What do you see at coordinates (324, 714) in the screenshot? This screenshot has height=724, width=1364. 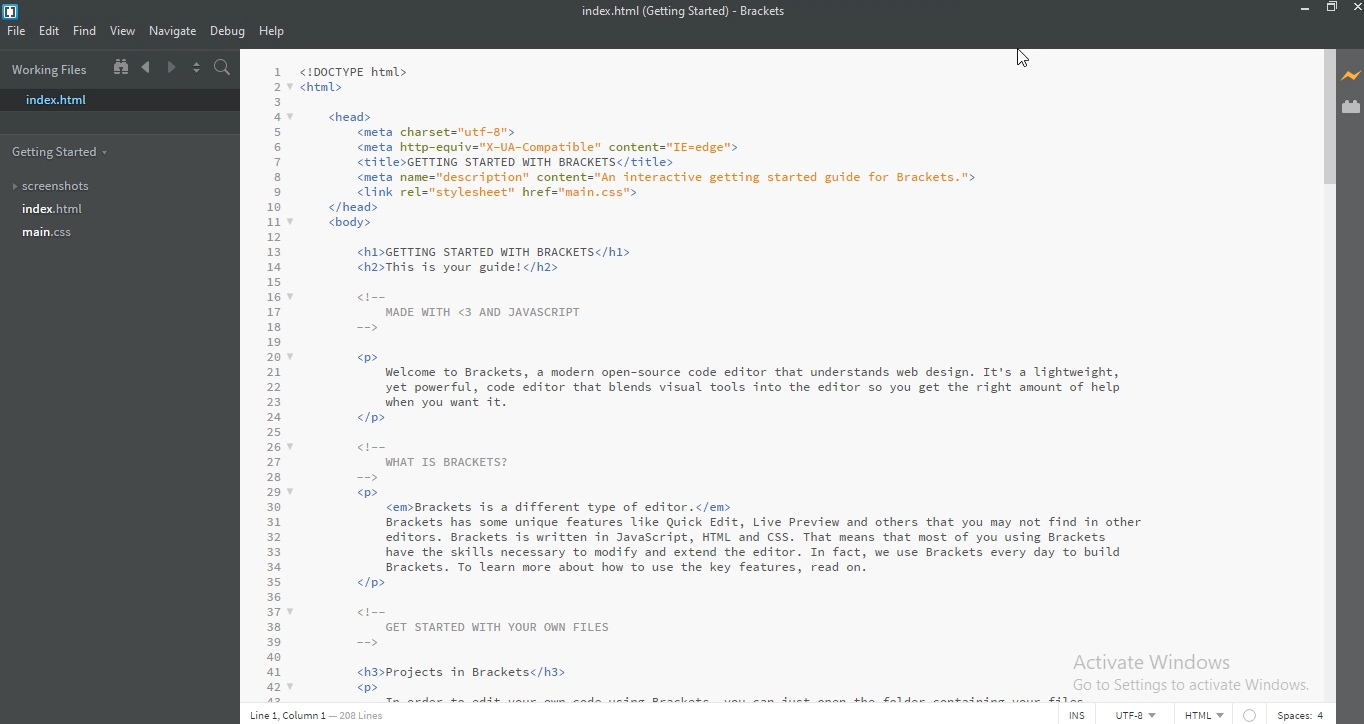 I see `line 1, column 1, - 208 lines` at bounding box center [324, 714].